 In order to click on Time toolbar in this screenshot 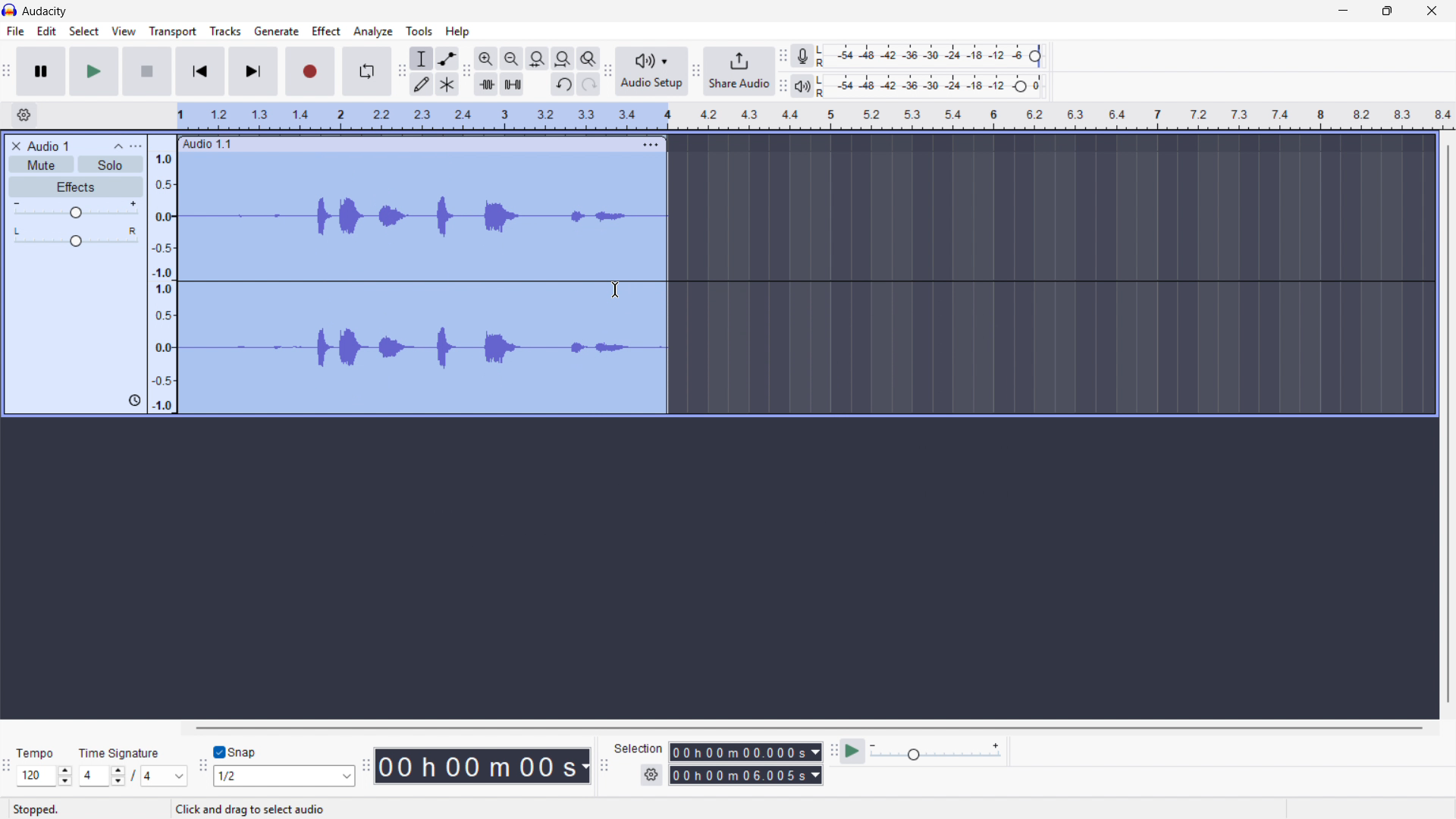, I will do `click(365, 767)`.